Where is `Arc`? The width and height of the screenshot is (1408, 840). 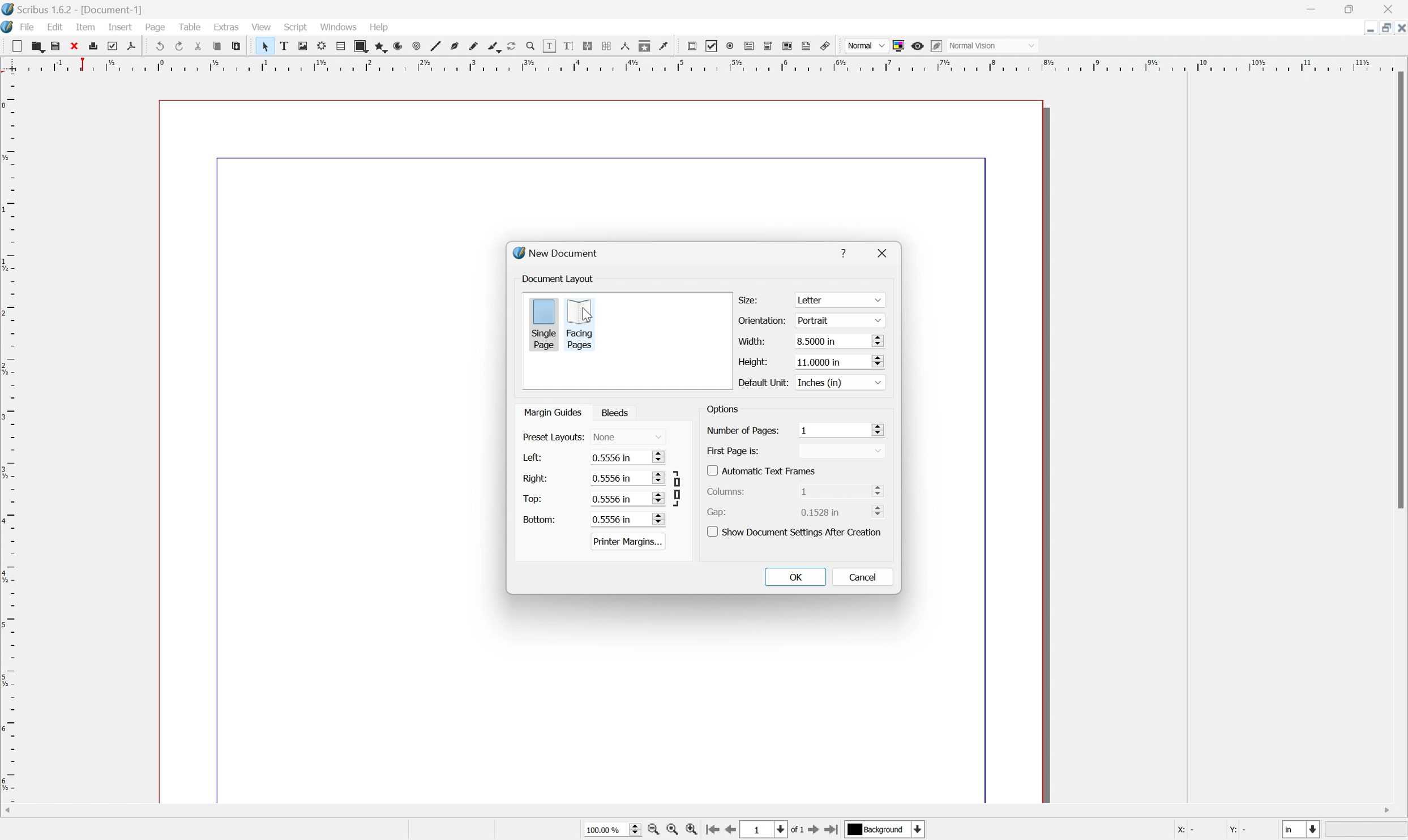
Arc is located at coordinates (396, 46).